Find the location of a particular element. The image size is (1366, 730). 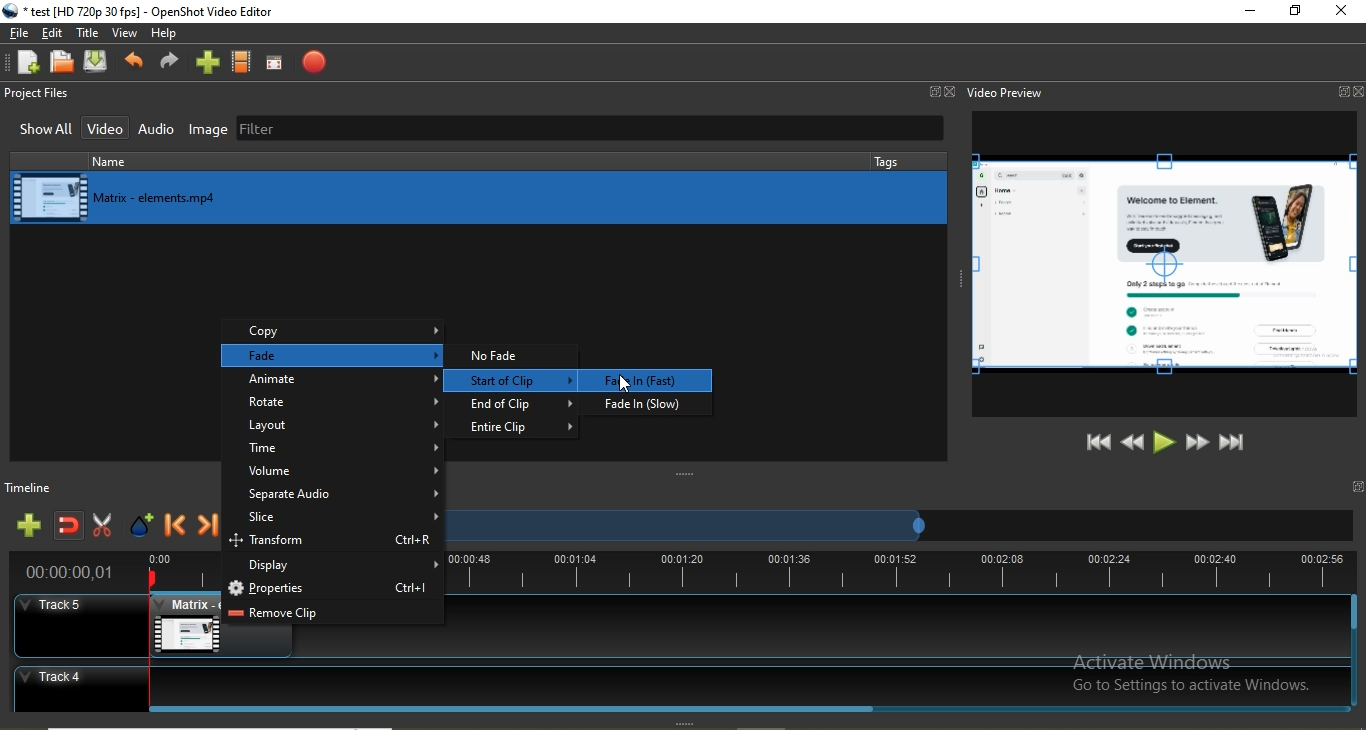

entire clip is located at coordinates (522, 426).